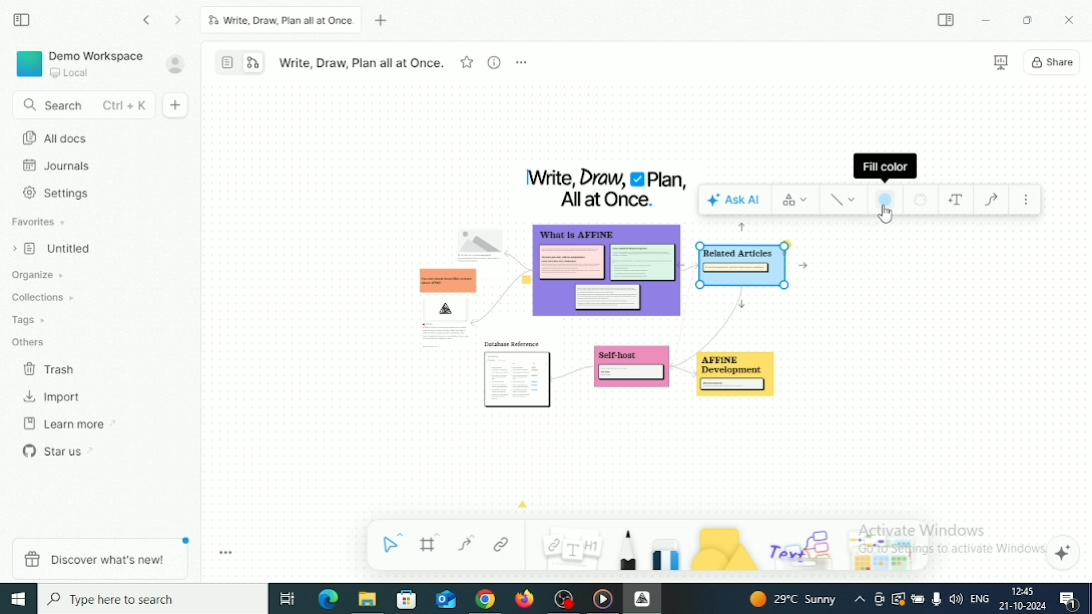  What do you see at coordinates (409, 600) in the screenshot?
I see `Microsoft store` at bounding box center [409, 600].